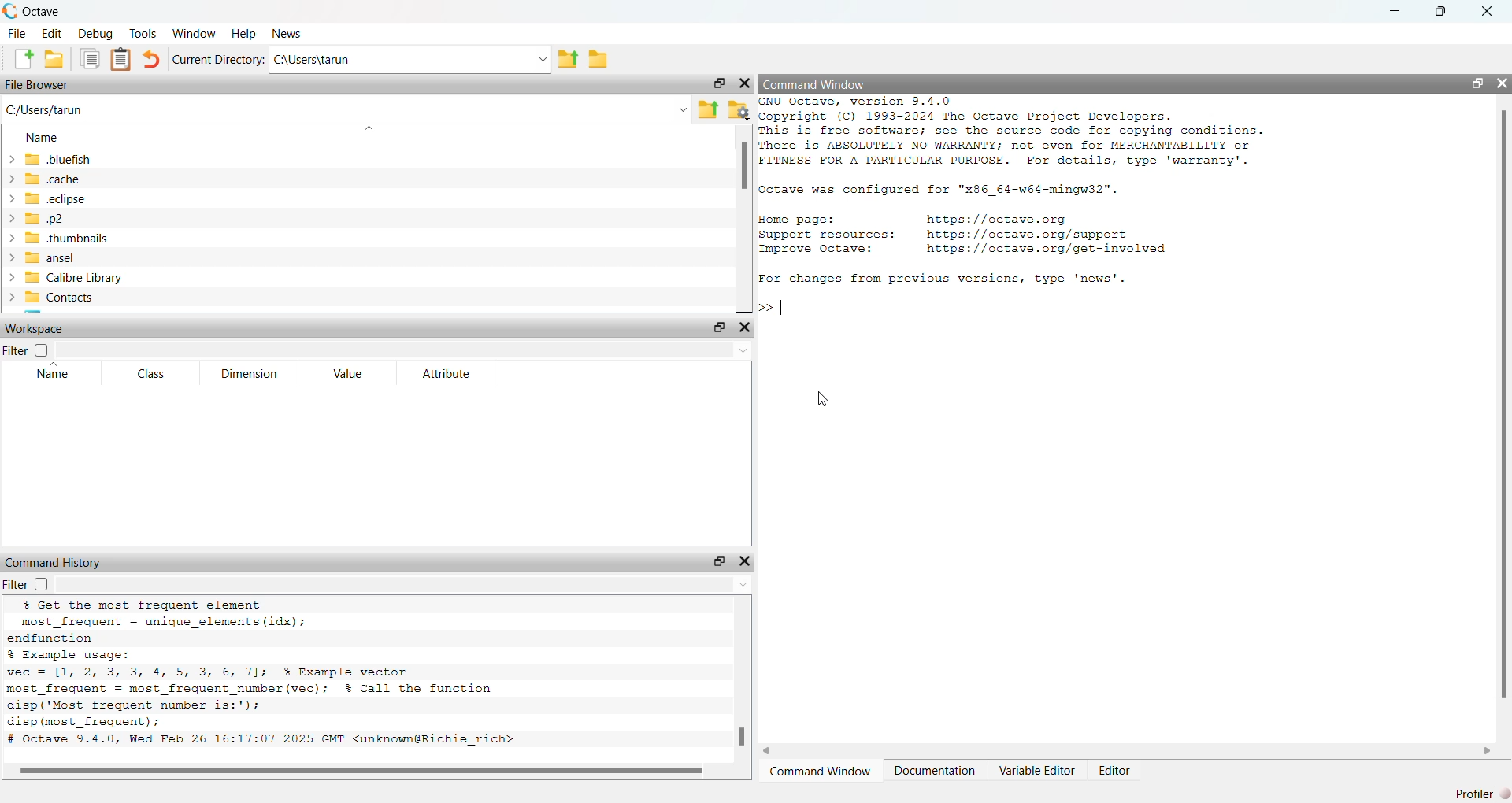 The height and width of the screenshot is (803, 1512). Describe the element at coordinates (53, 33) in the screenshot. I see `Edit` at that location.